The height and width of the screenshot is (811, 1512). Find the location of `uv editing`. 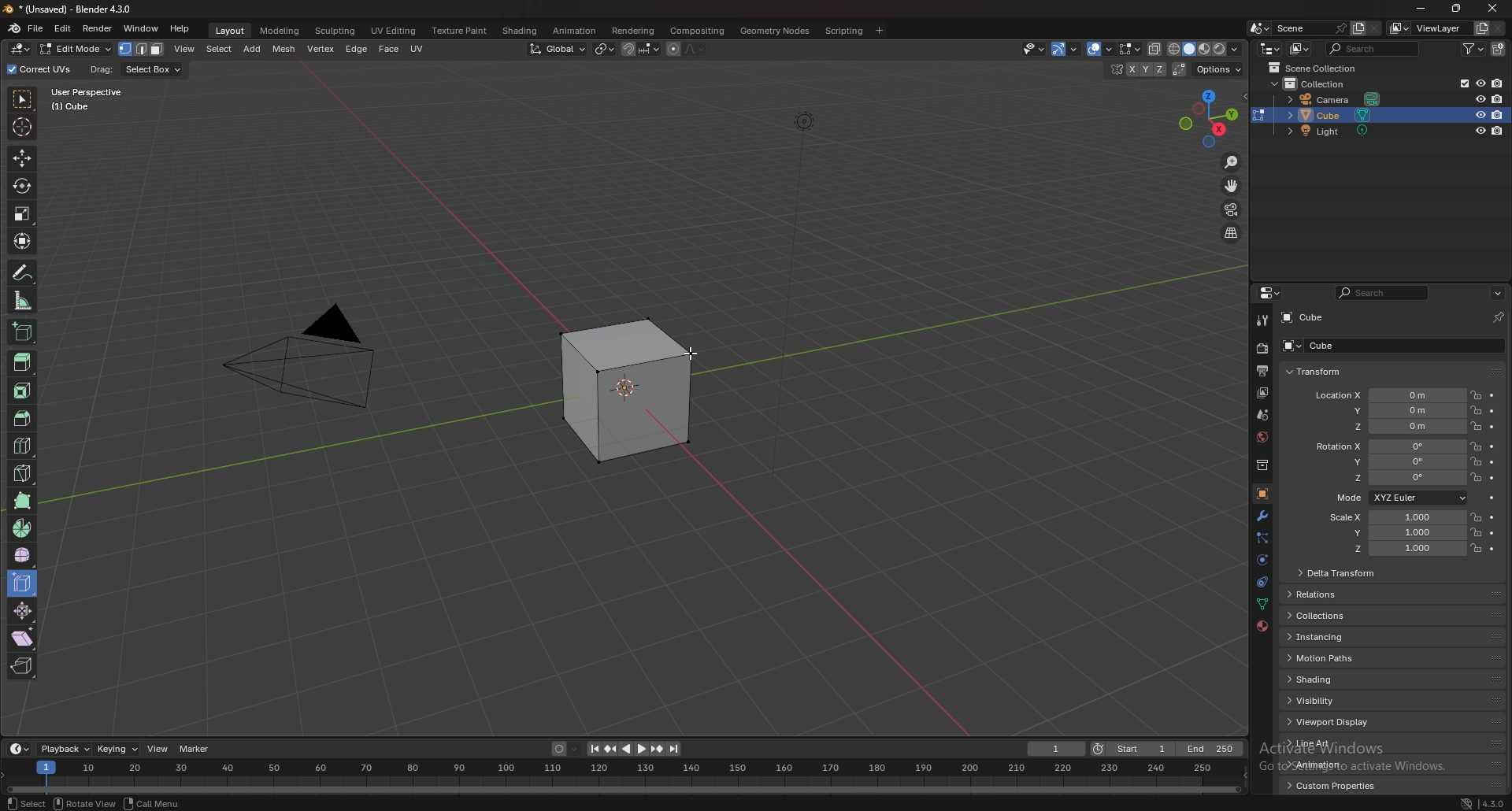

uv editing is located at coordinates (395, 31).